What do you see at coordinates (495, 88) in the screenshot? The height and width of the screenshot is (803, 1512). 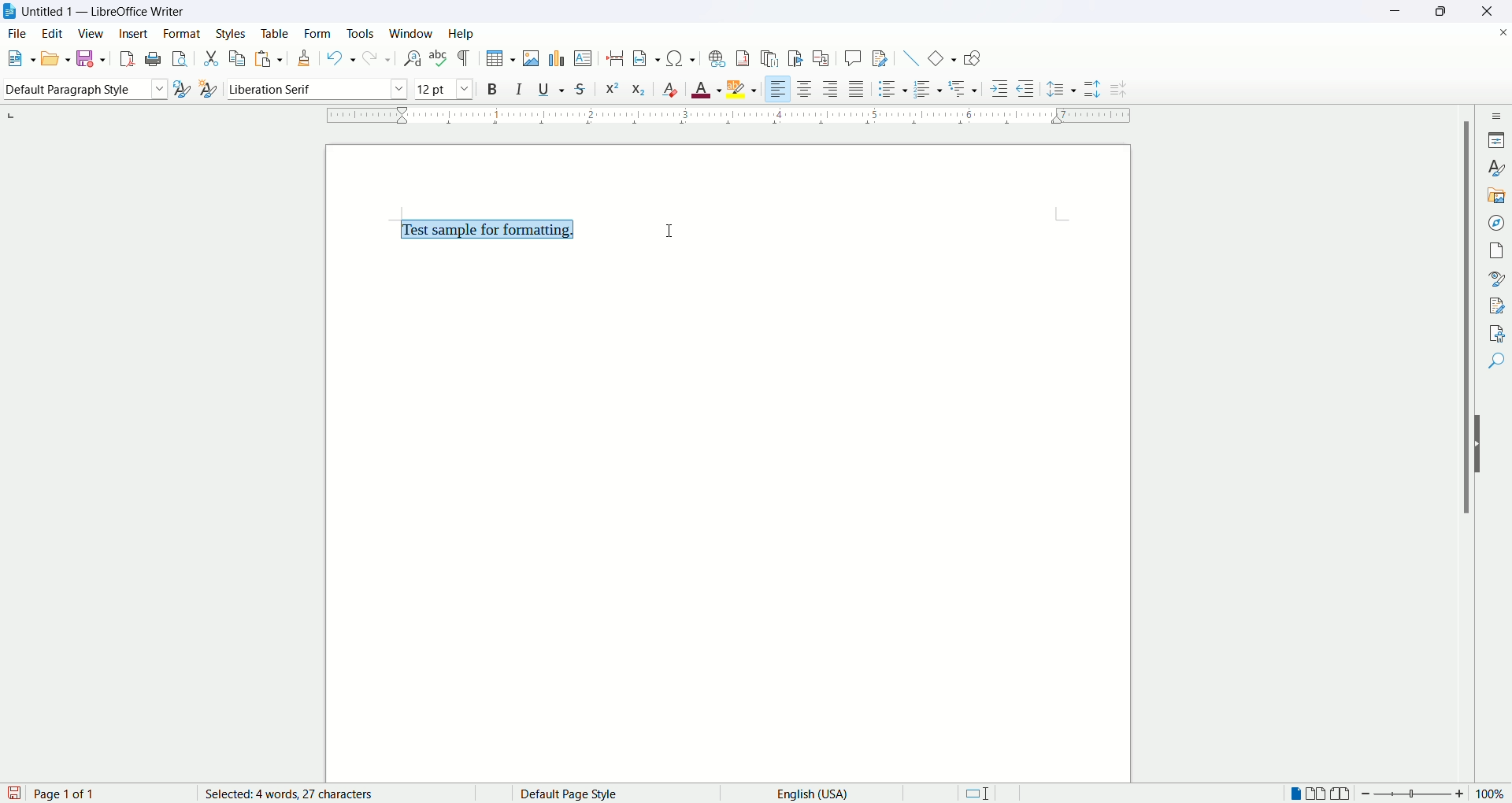 I see `bold` at bounding box center [495, 88].